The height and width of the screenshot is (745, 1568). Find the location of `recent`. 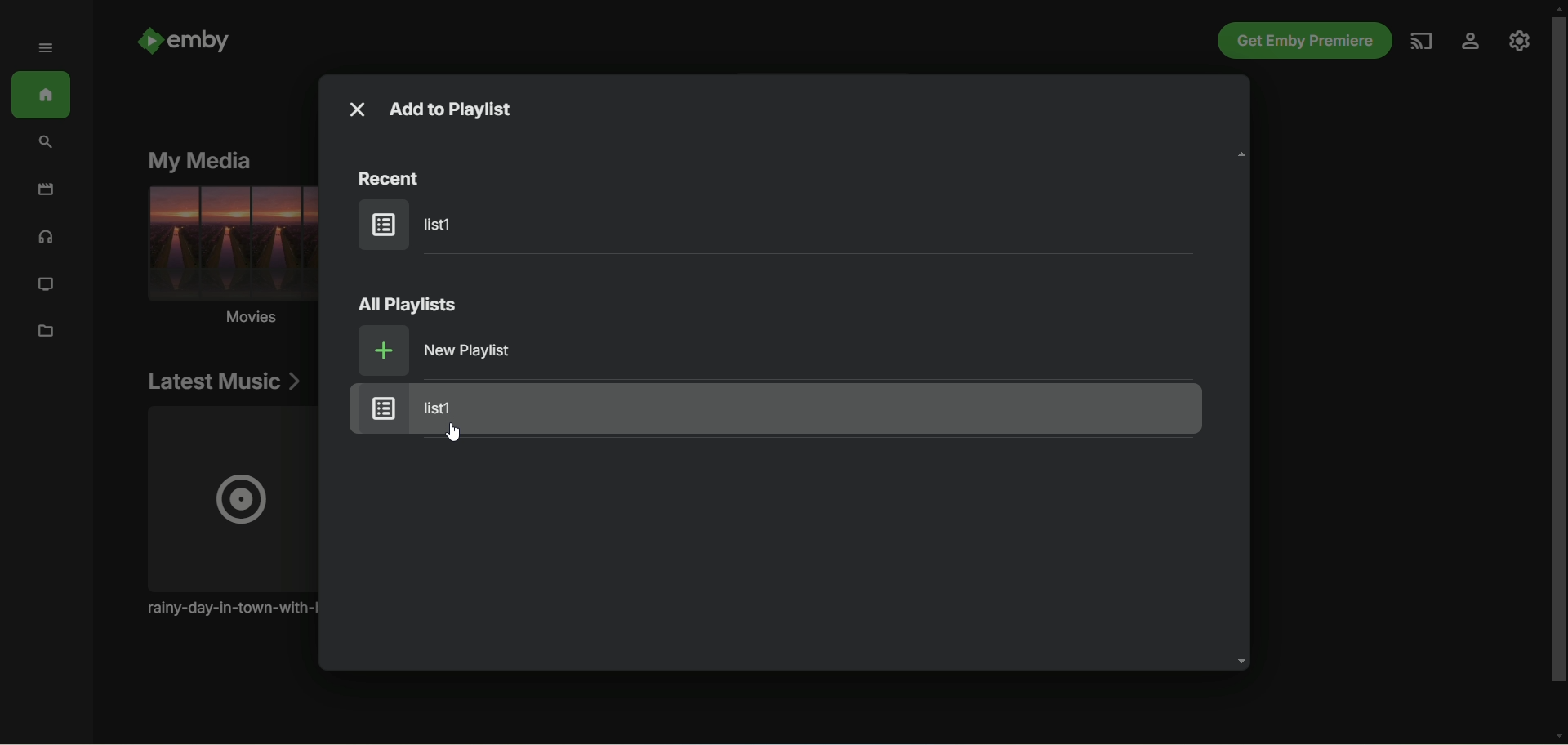

recent is located at coordinates (394, 178).